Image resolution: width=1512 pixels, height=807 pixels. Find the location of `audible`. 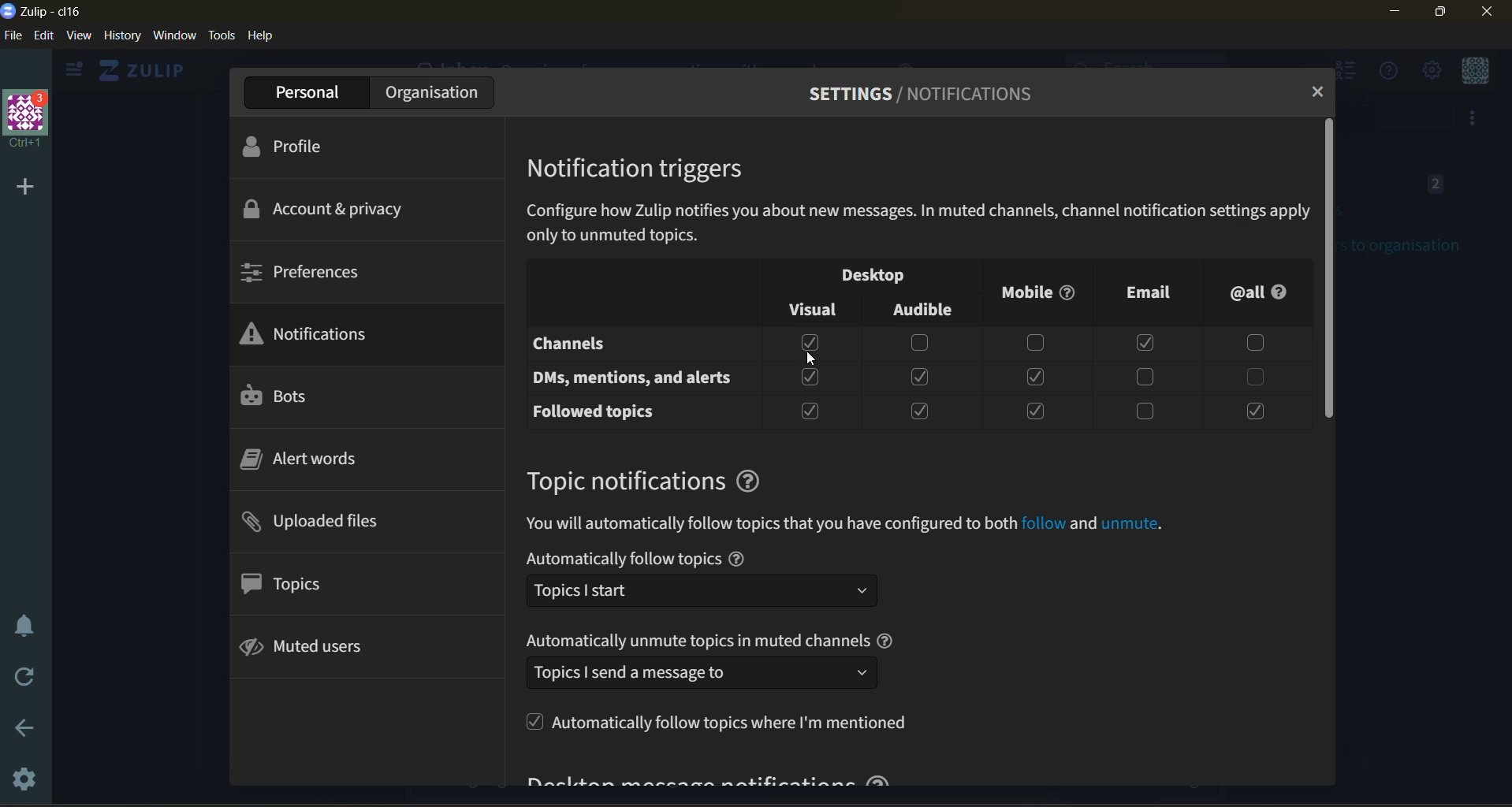

audible is located at coordinates (930, 309).